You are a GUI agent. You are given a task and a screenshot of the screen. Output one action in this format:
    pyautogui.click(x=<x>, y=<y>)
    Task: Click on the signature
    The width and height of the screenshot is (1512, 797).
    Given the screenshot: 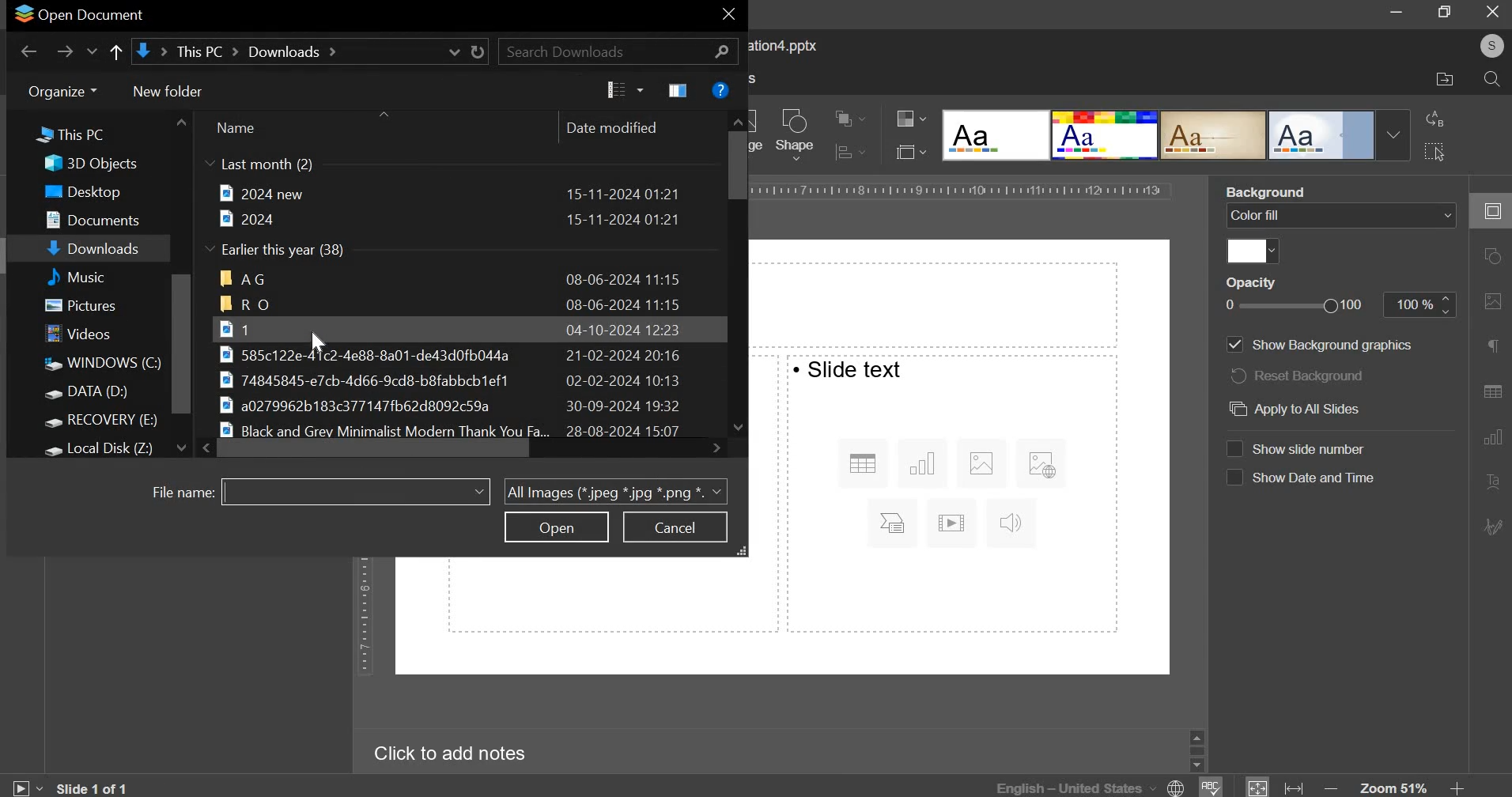 What is the action you would take?
    pyautogui.click(x=1495, y=526)
    